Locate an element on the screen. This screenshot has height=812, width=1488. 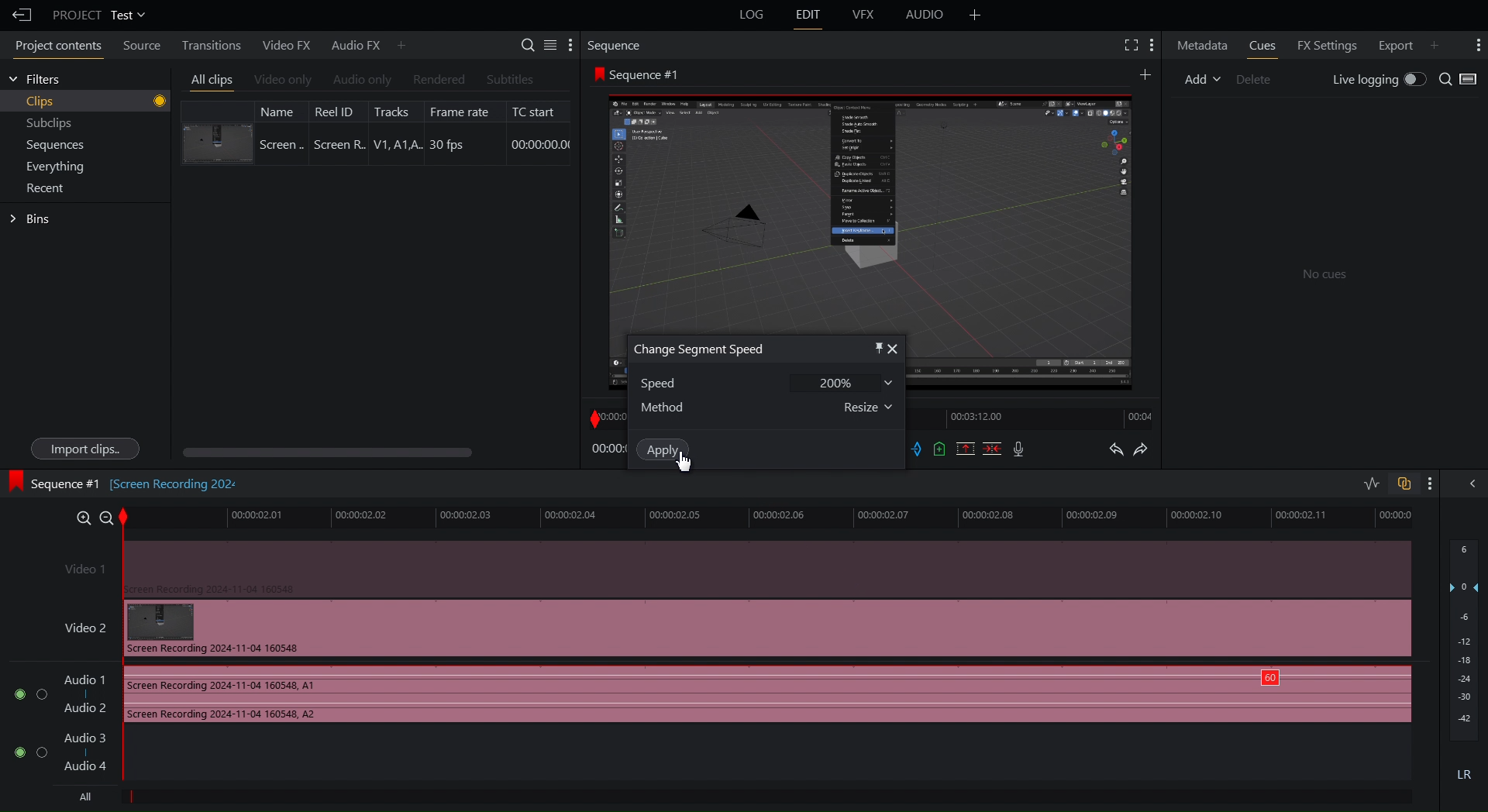
Zoom is located at coordinates (88, 515).